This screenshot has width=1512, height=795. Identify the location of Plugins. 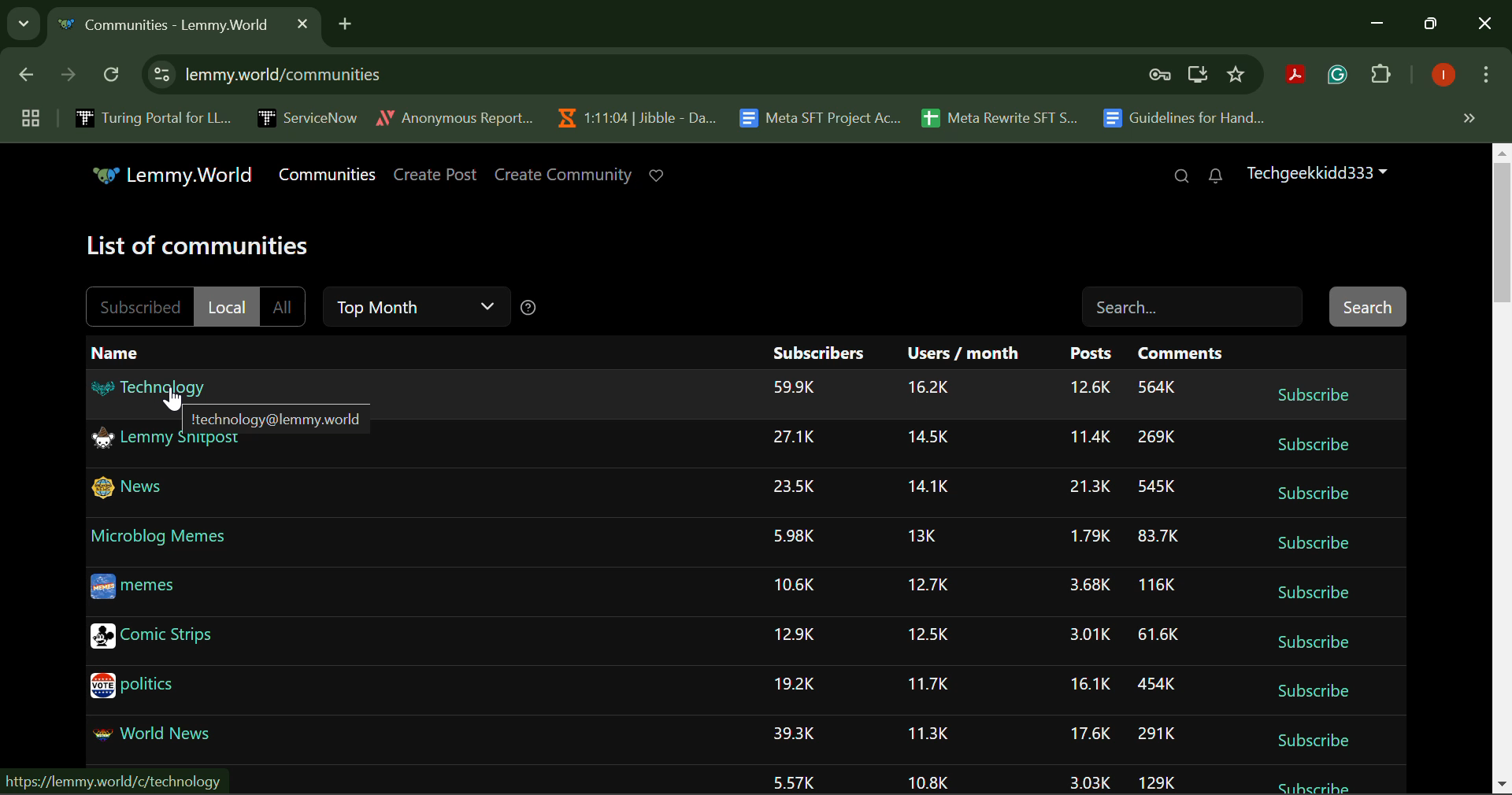
(1381, 77).